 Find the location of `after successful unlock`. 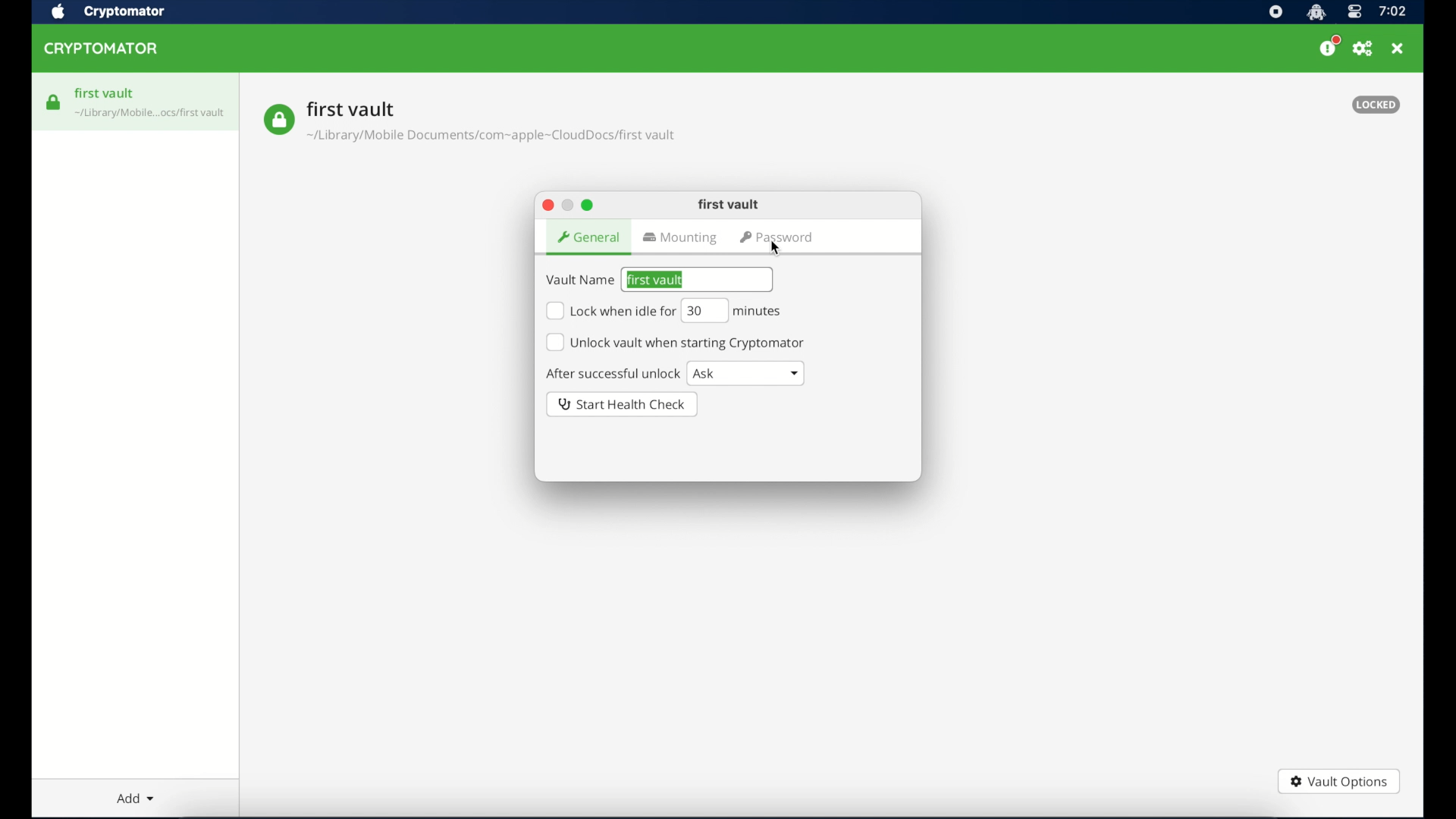

after successful unlock is located at coordinates (613, 375).